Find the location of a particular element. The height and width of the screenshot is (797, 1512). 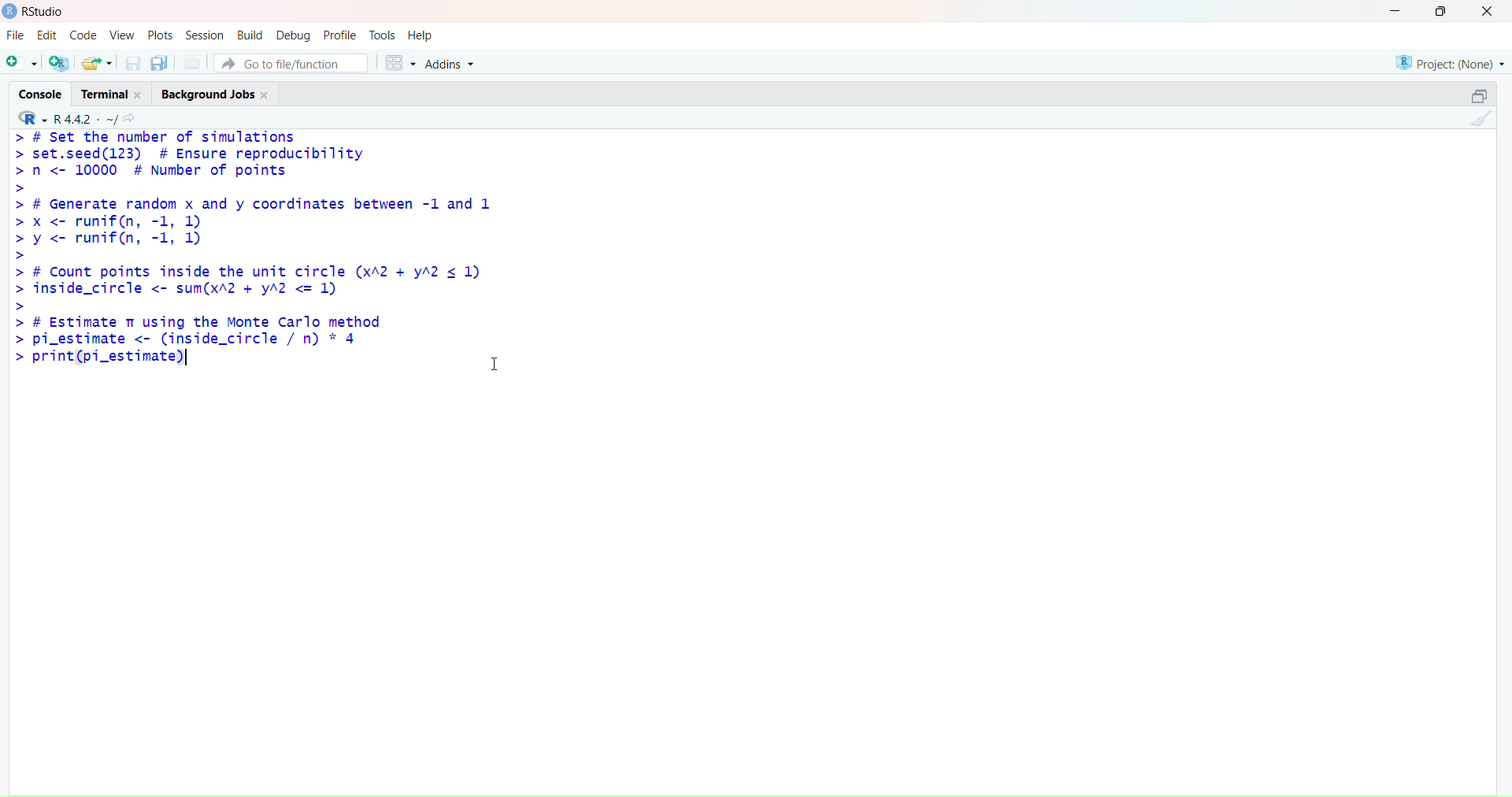

Build is located at coordinates (250, 34).